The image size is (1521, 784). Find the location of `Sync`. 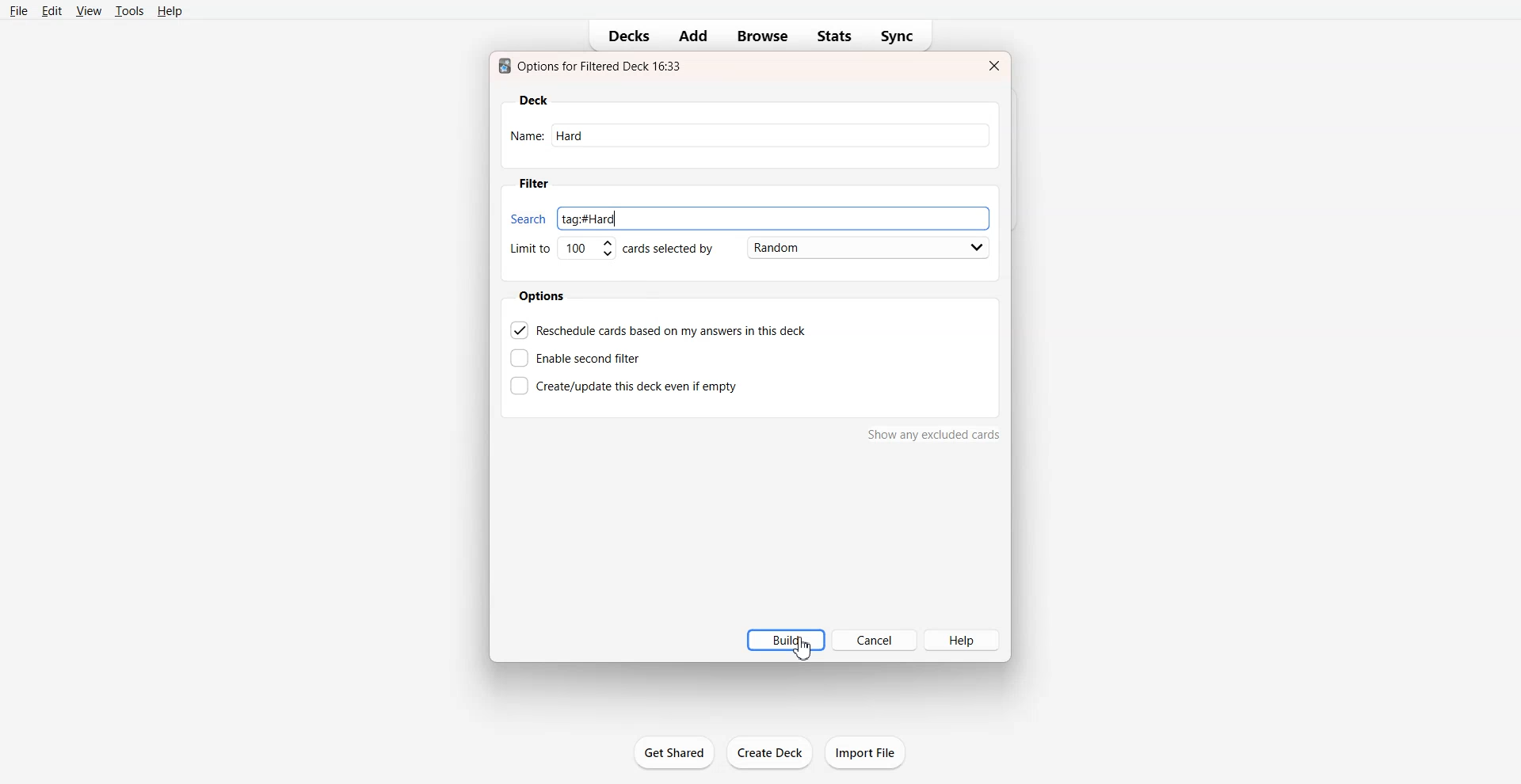

Sync is located at coordinates (902, 36).